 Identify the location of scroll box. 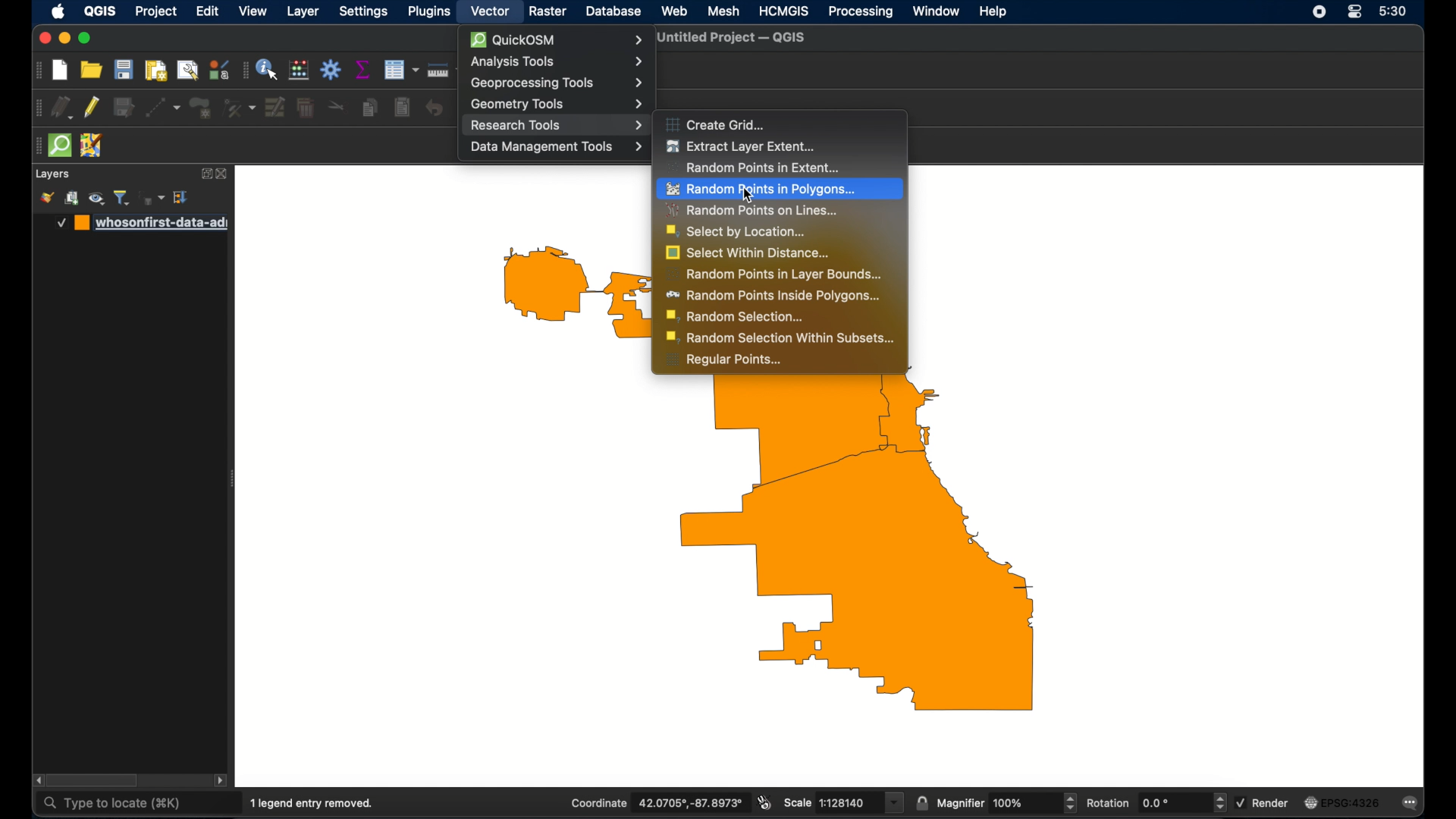
(96, 780).